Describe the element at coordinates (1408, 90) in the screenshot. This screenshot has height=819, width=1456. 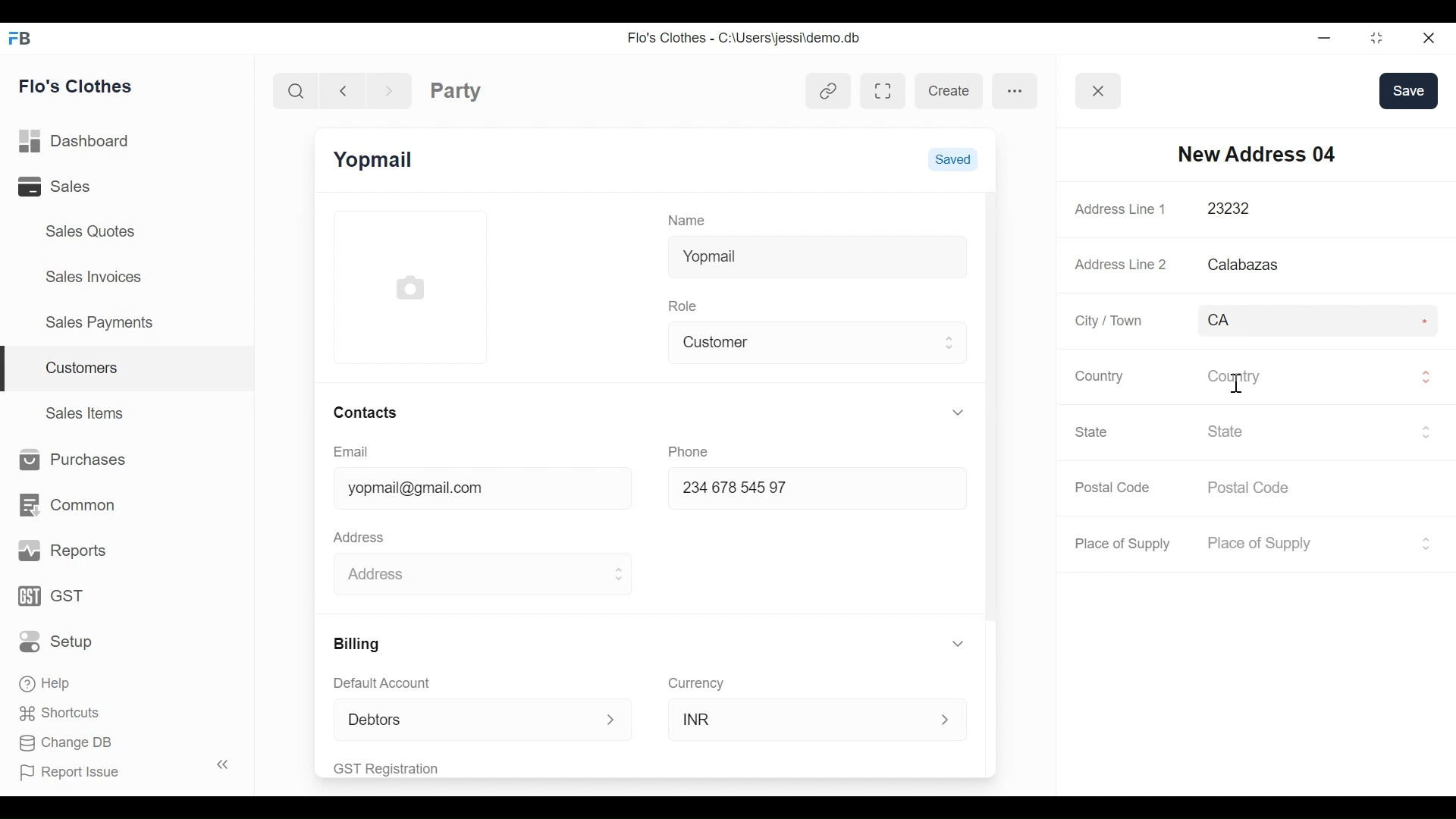
I see `save` at that location.